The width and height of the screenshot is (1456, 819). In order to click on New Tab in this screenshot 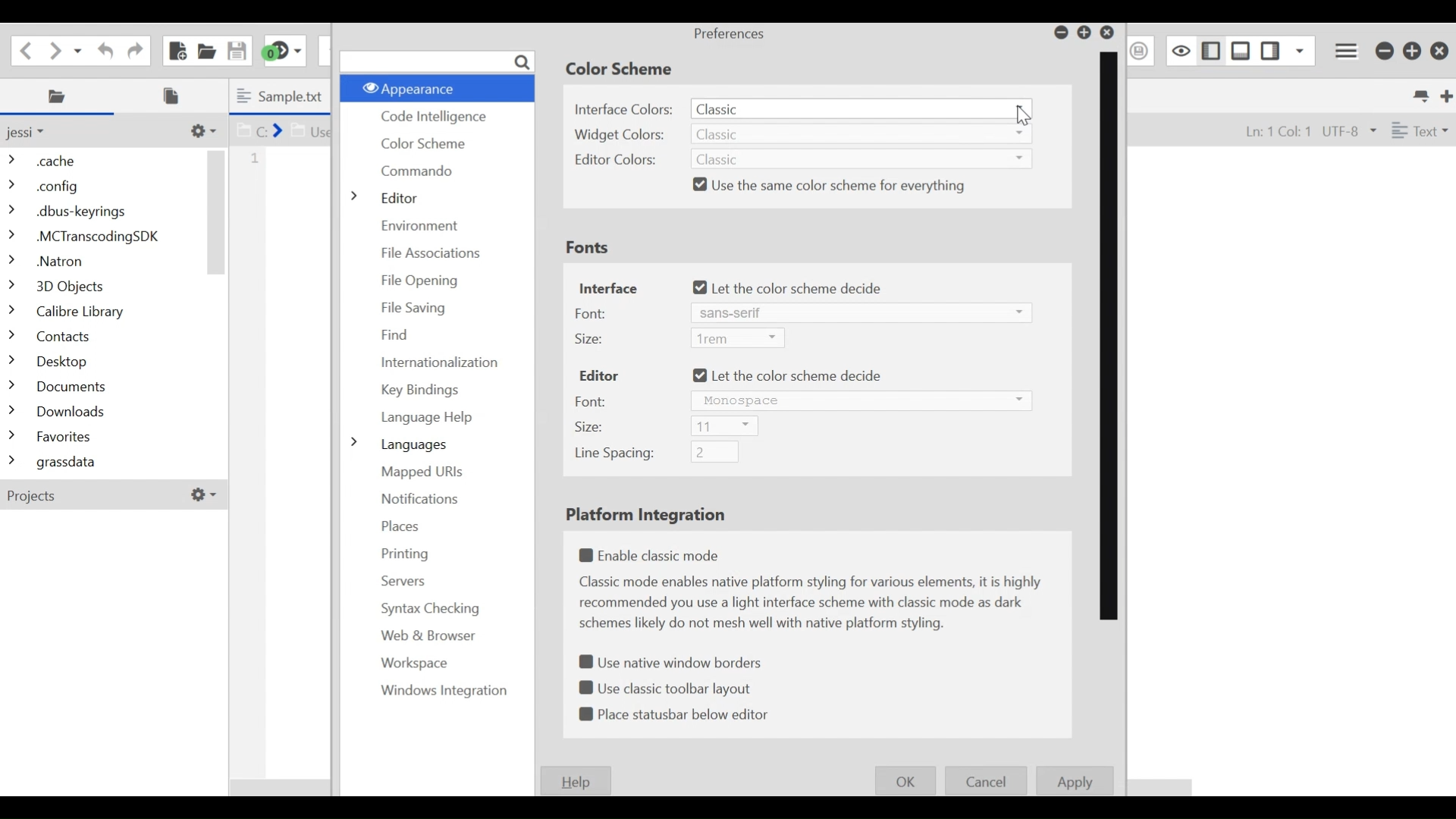, I will do `click(1444, 94)`.